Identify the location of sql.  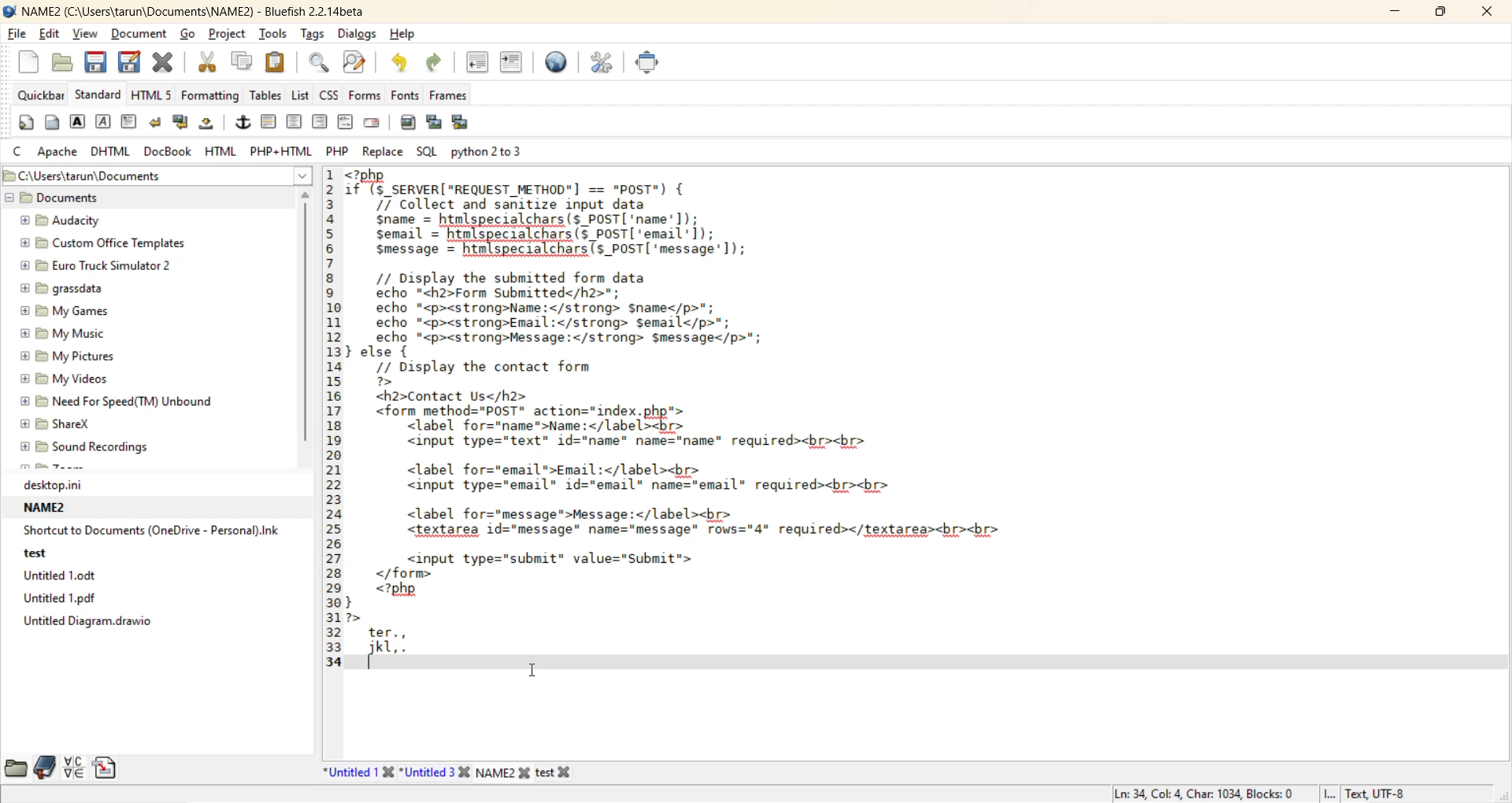
(426, 148).